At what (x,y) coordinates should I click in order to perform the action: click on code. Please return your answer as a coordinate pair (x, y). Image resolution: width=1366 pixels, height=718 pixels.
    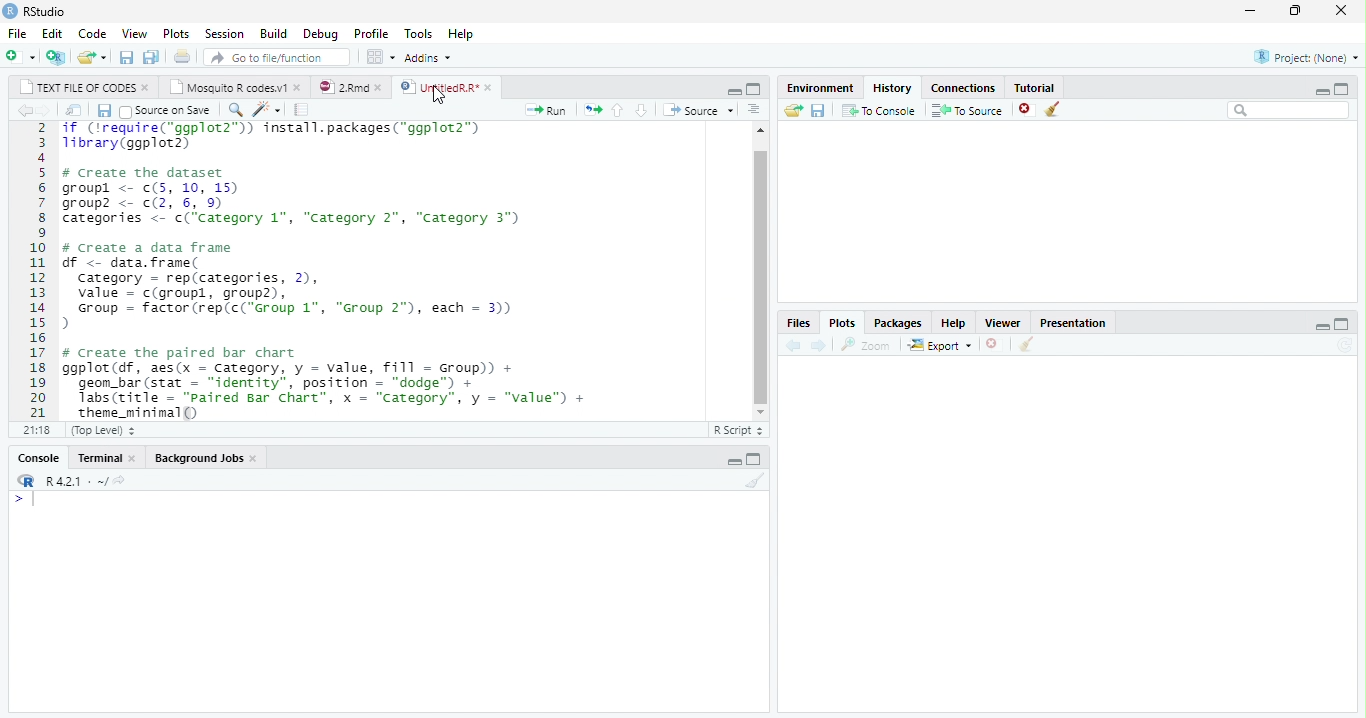
    Looking at the image, I should click on (89, 32).